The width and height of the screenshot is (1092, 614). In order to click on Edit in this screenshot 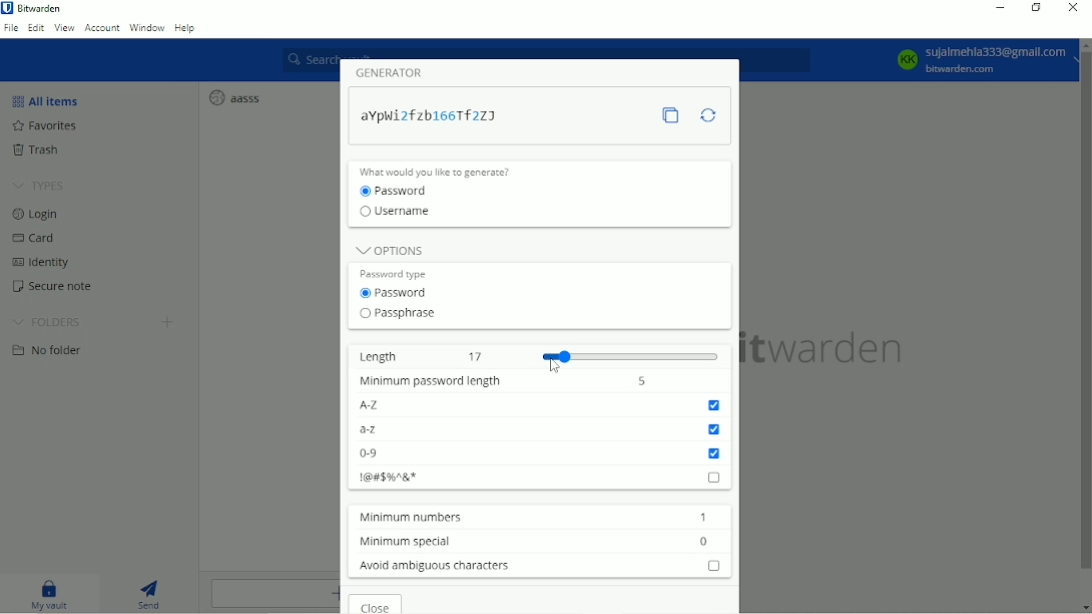, I will do `click(36, 29)`.